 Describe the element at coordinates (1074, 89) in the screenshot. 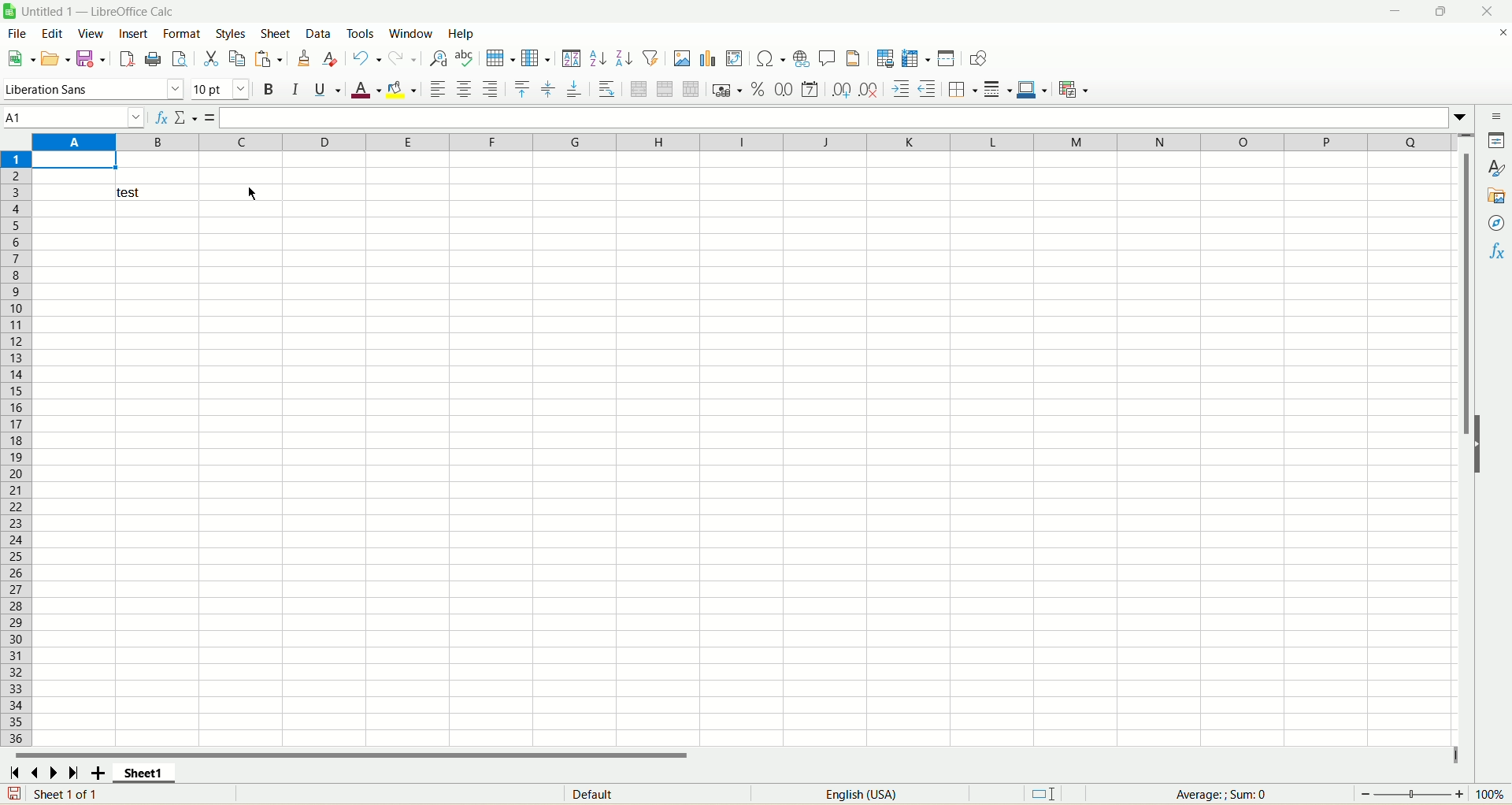

I see `conditional formatting` at that location.